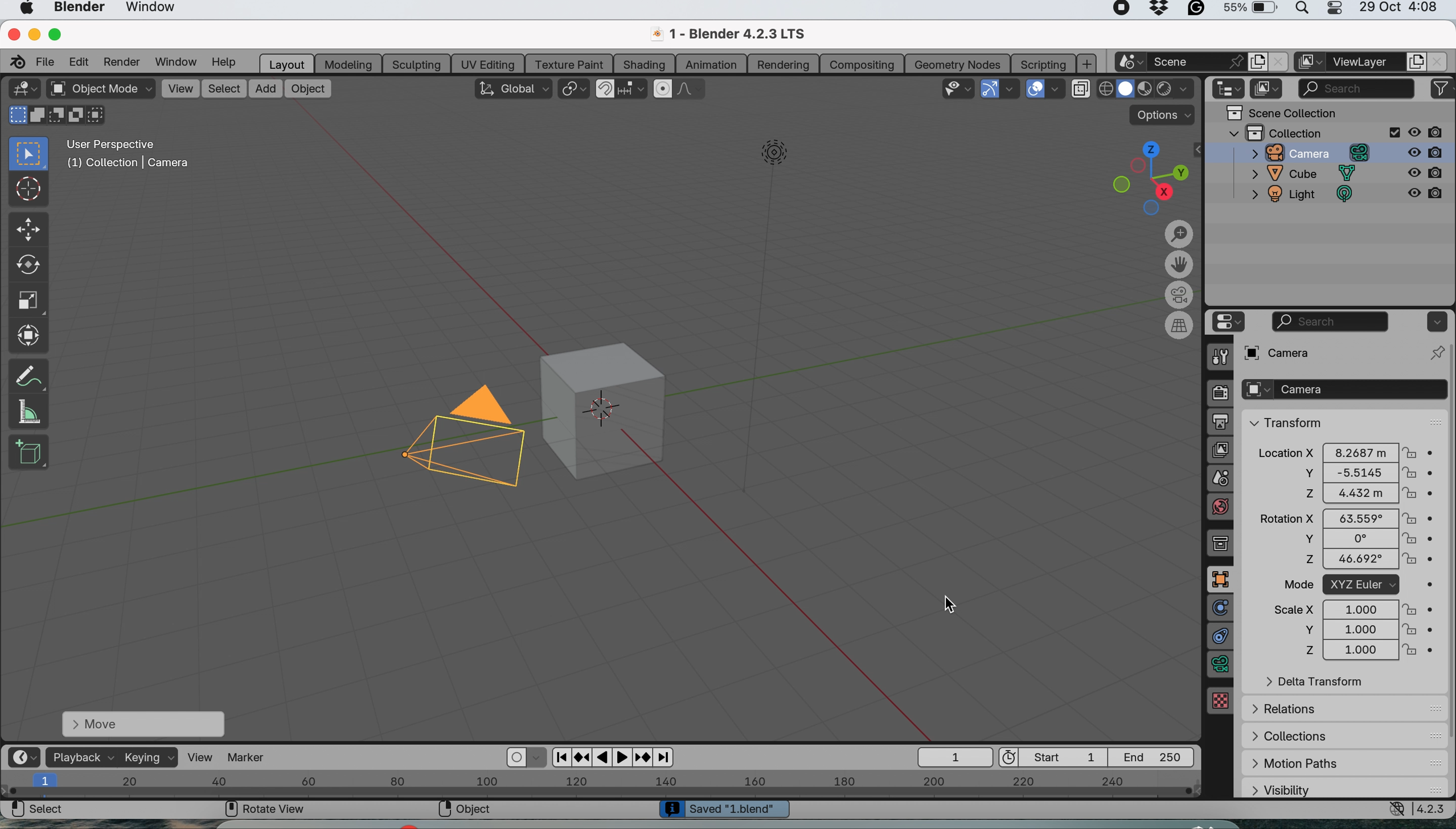 The height and width of the screenshot is (829, 1456). What do you see at coordinates (1345, 451) in the screenshot?
I see `Location x 8.2687` at bounding box center [1345, 451].